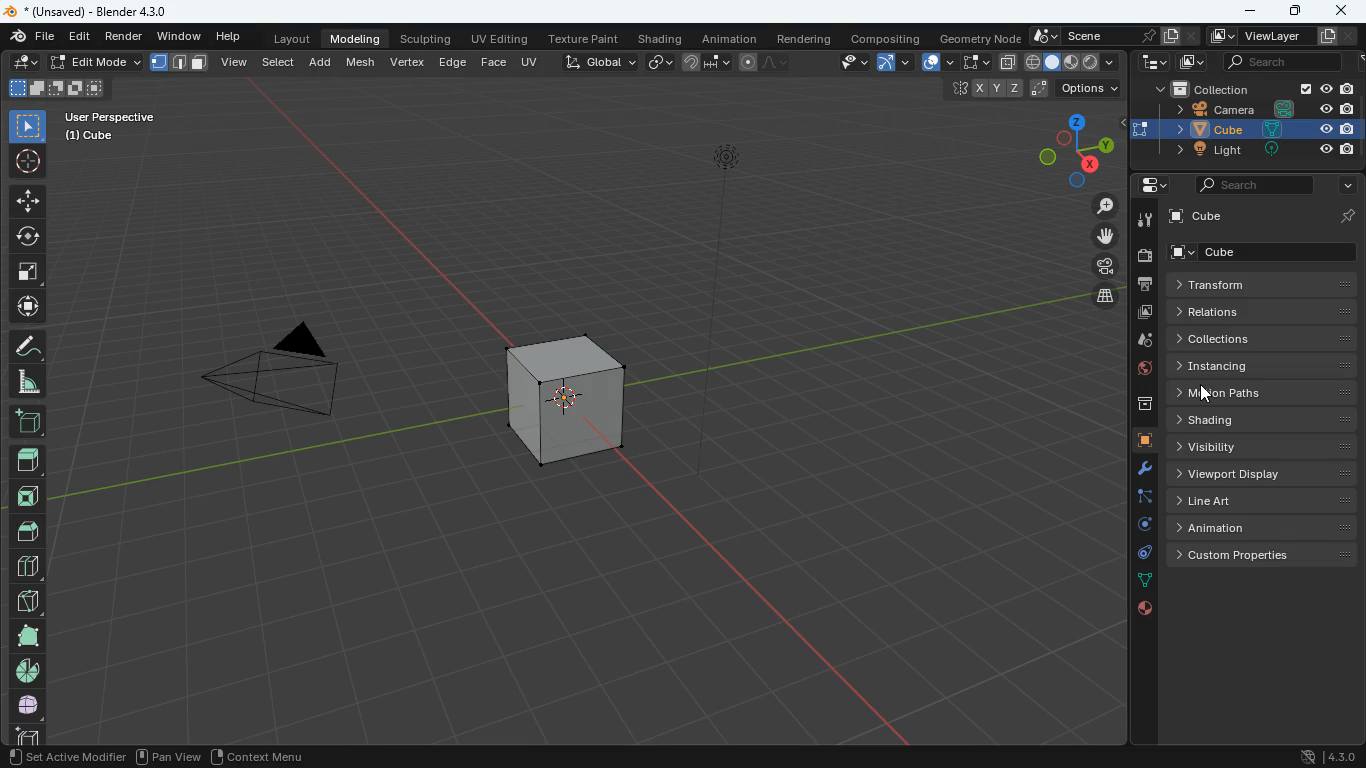  I want to click on uv, so click(531, 60).